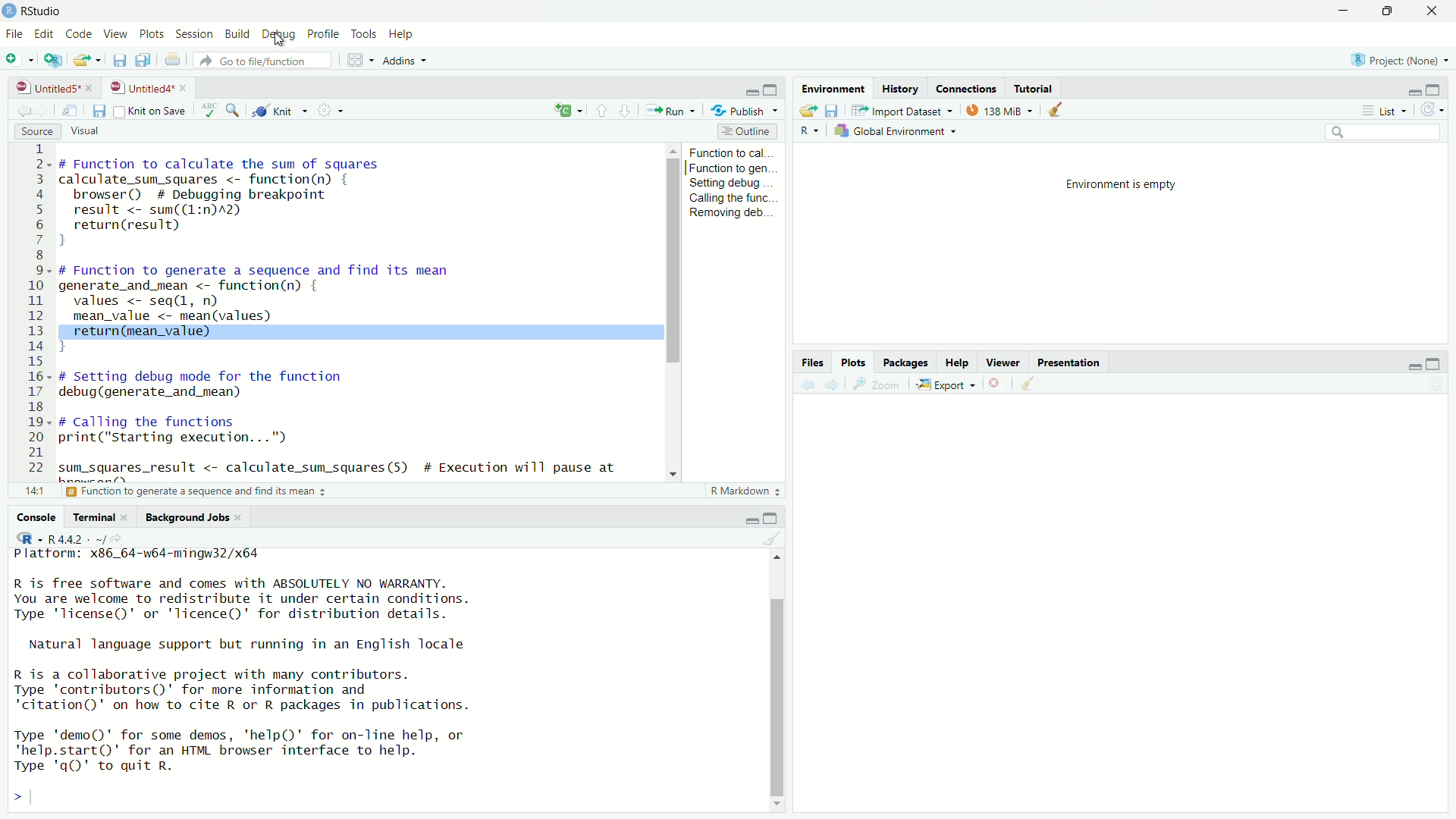 This screenshot has height=819, width=1456. I want to click on save all open documents, so click(145, 61).